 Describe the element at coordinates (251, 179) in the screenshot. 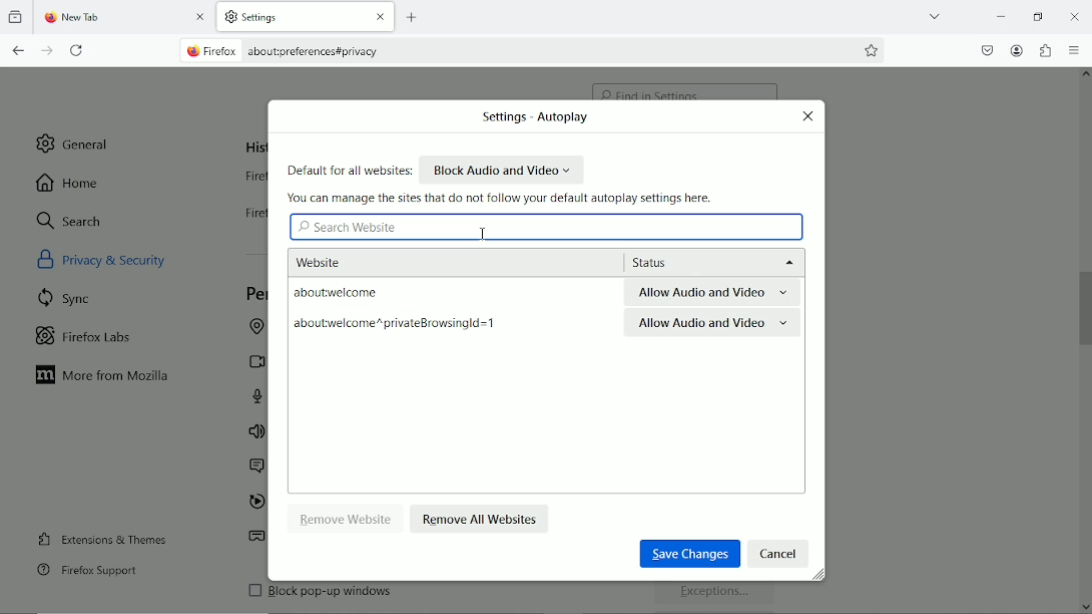

I see `firefox will` at that location.